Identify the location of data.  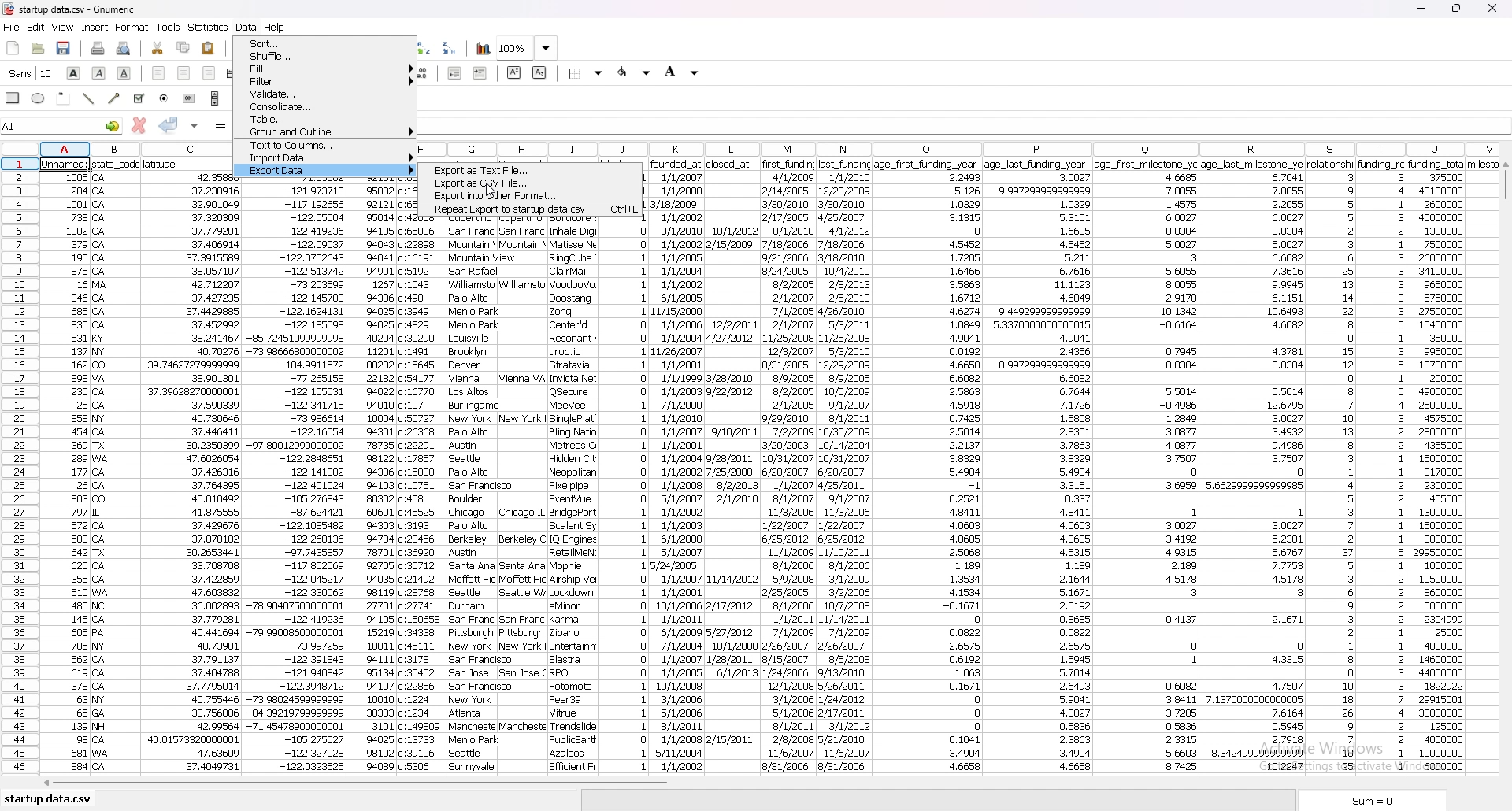
(1039, 468).